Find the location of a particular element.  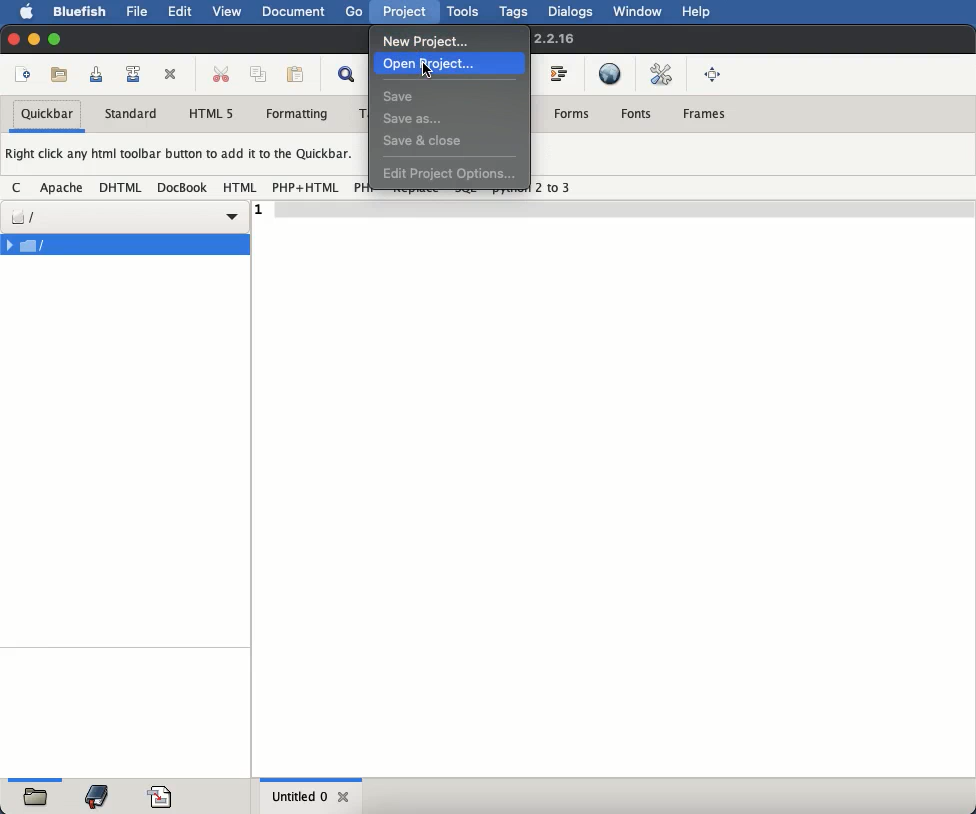

Right click any html toolbar button to add it to the Quickbar is located at coordinates (180, 152).